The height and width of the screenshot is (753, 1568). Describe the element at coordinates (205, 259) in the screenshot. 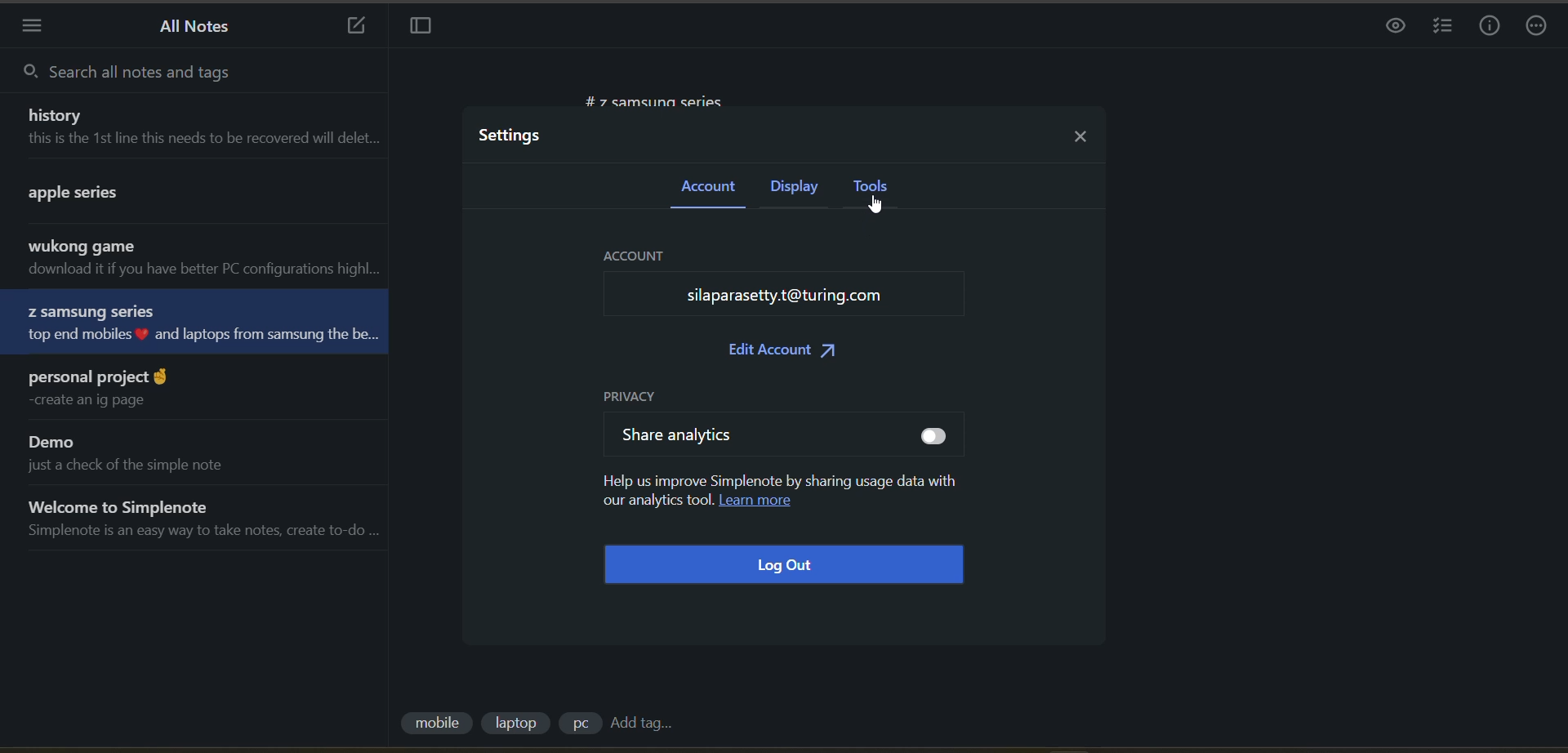

I see `note title and preview` at that location.